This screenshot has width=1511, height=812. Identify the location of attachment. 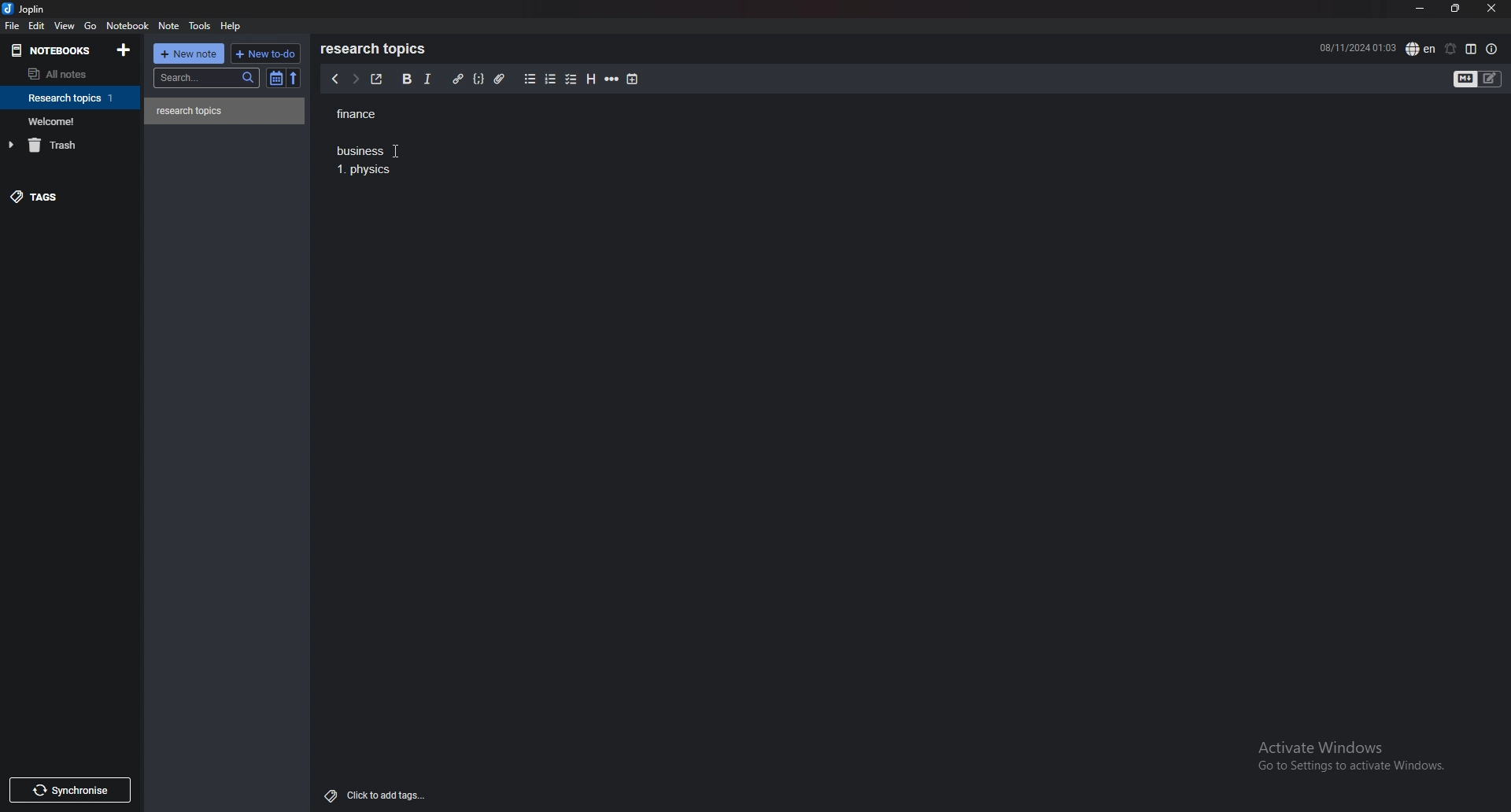
(499, 78).